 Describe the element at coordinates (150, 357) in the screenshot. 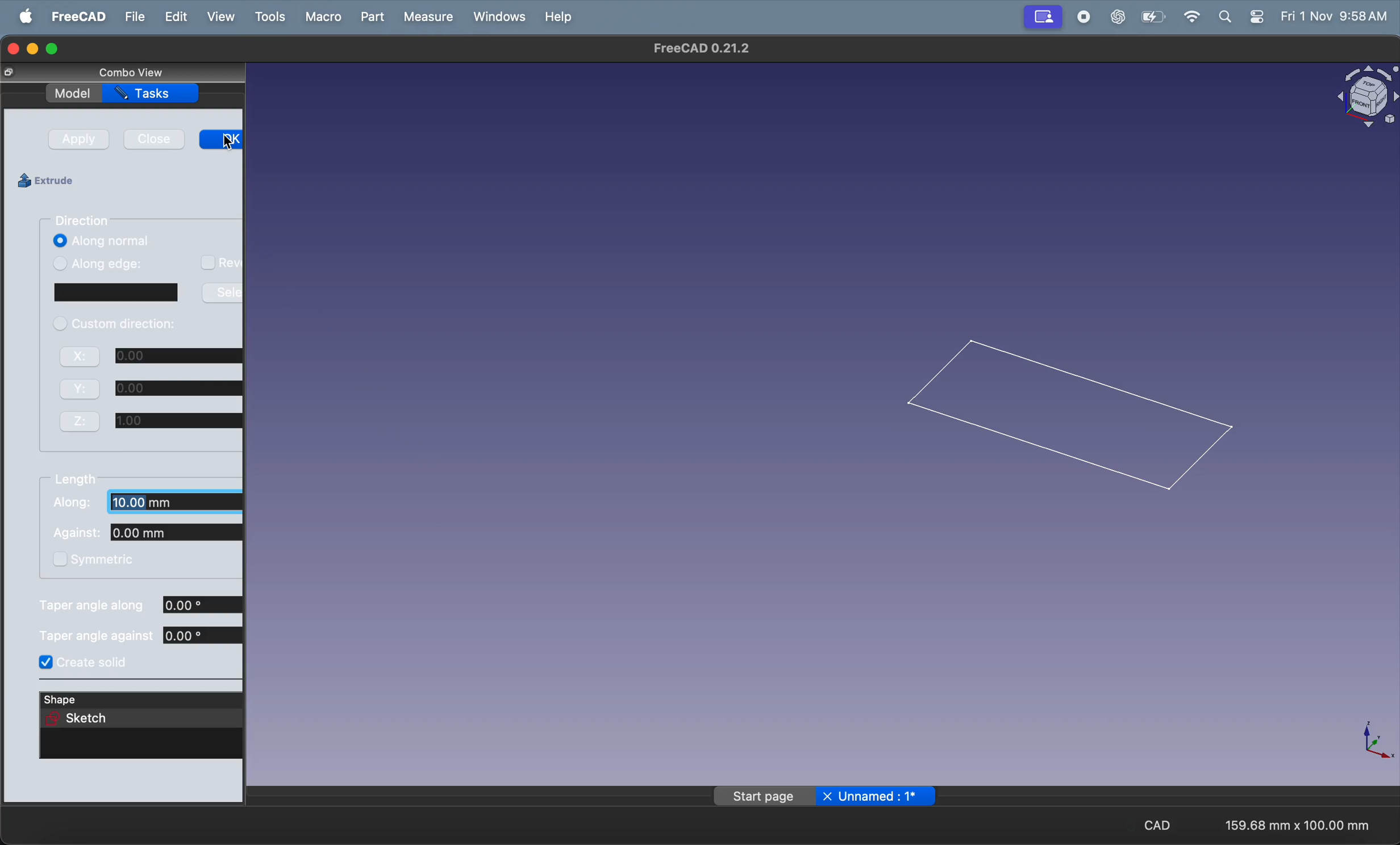

I see ` x axis co ordinate` at that location.